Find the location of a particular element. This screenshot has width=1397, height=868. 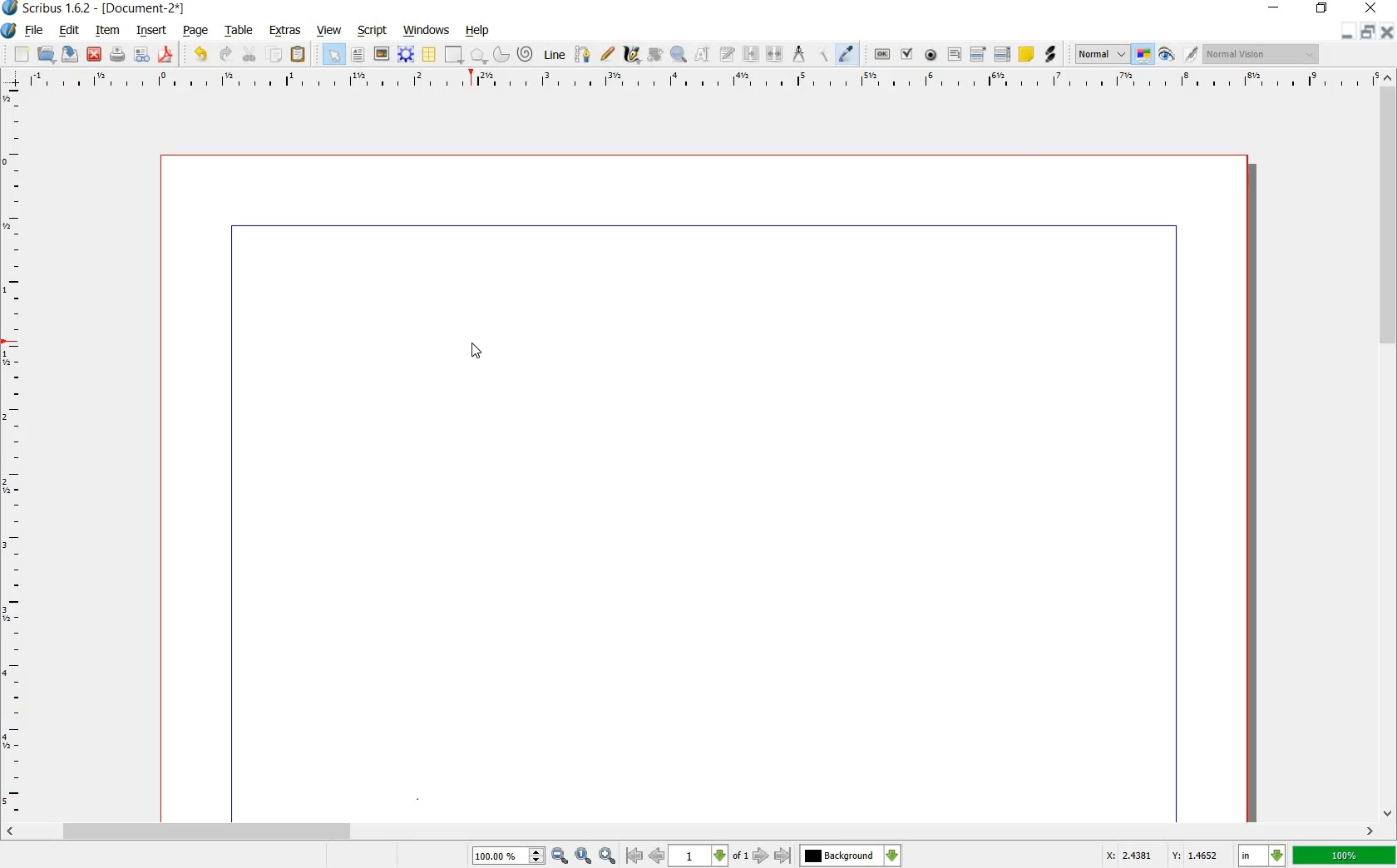

FREEHAND LINE is located at coordinates (608, 55).